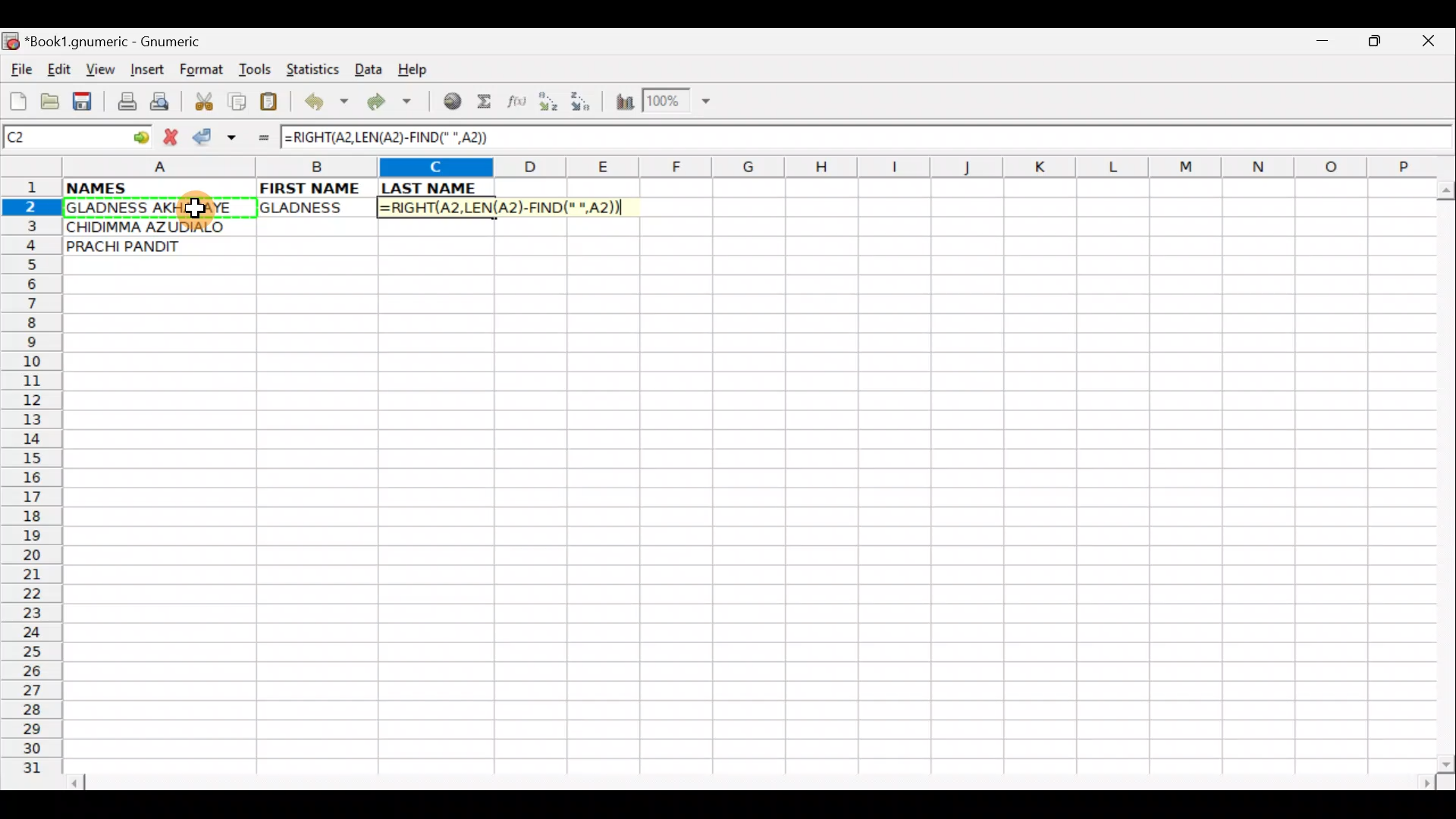  Describe the element at coordinates (20, 71) in the screenshot. I see `File` at that location.